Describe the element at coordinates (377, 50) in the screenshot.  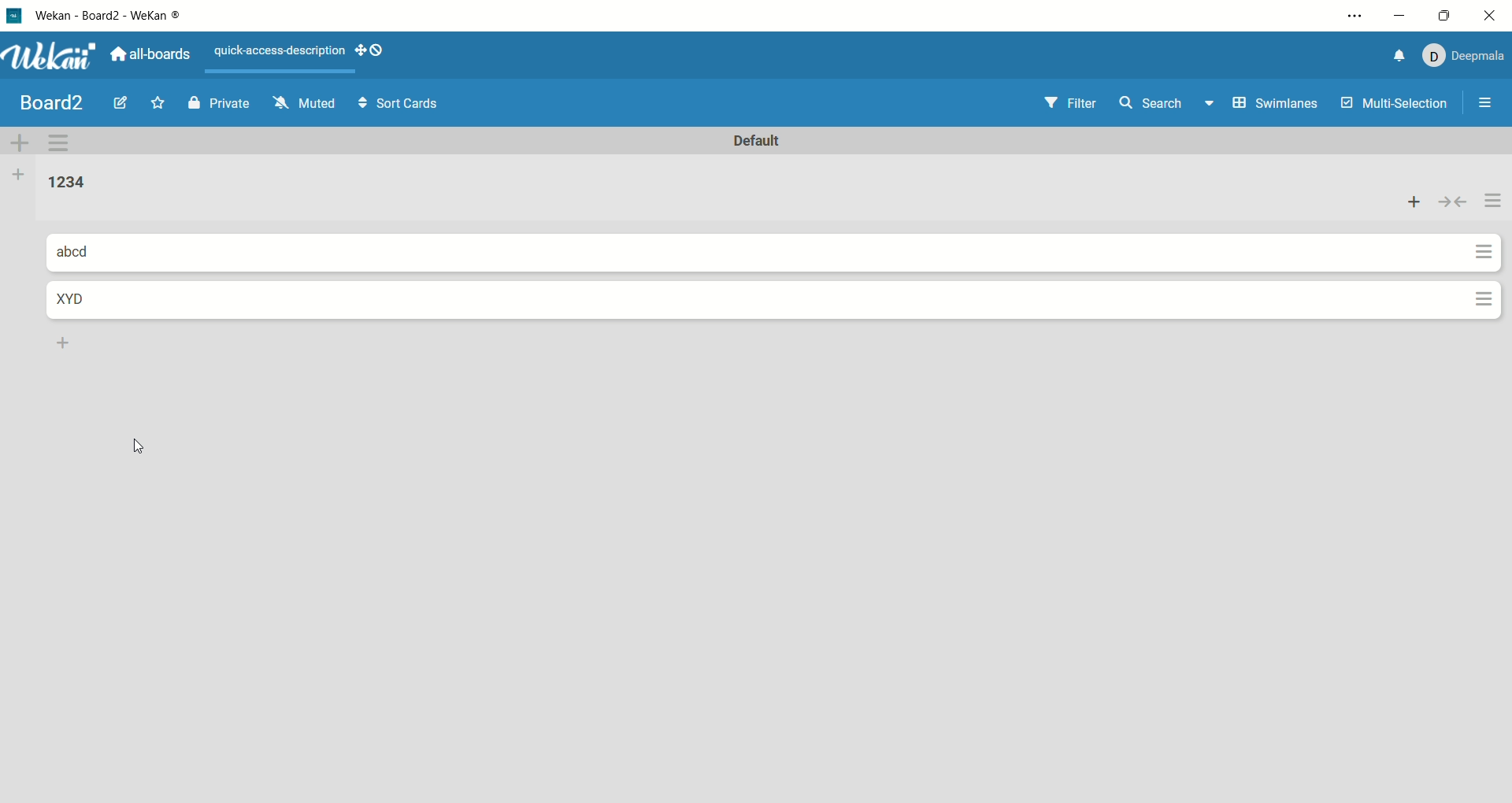
I see `show-desktop-drag-handles` at that location.